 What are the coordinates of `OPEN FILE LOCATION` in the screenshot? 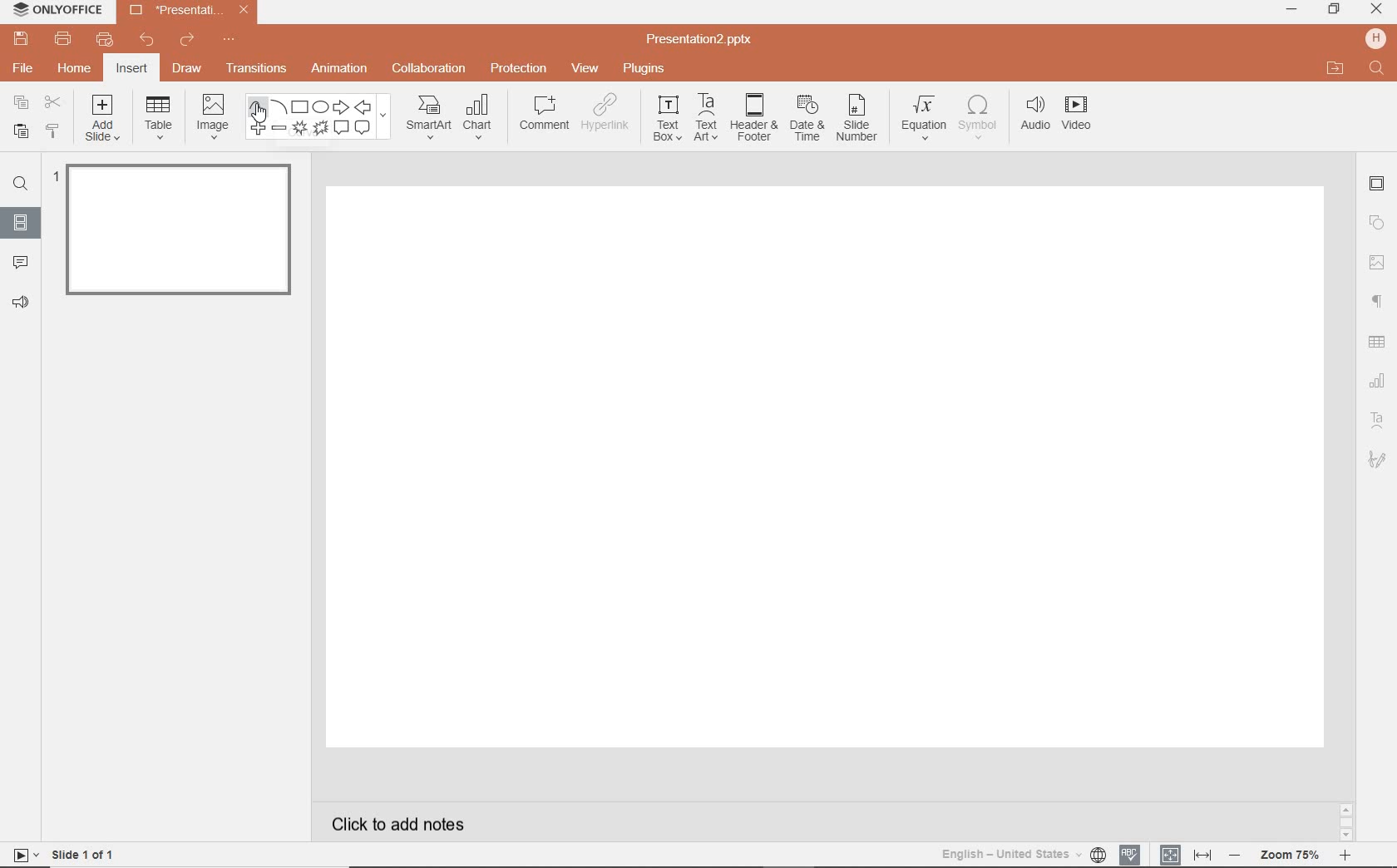 It's located at (1335, 69).